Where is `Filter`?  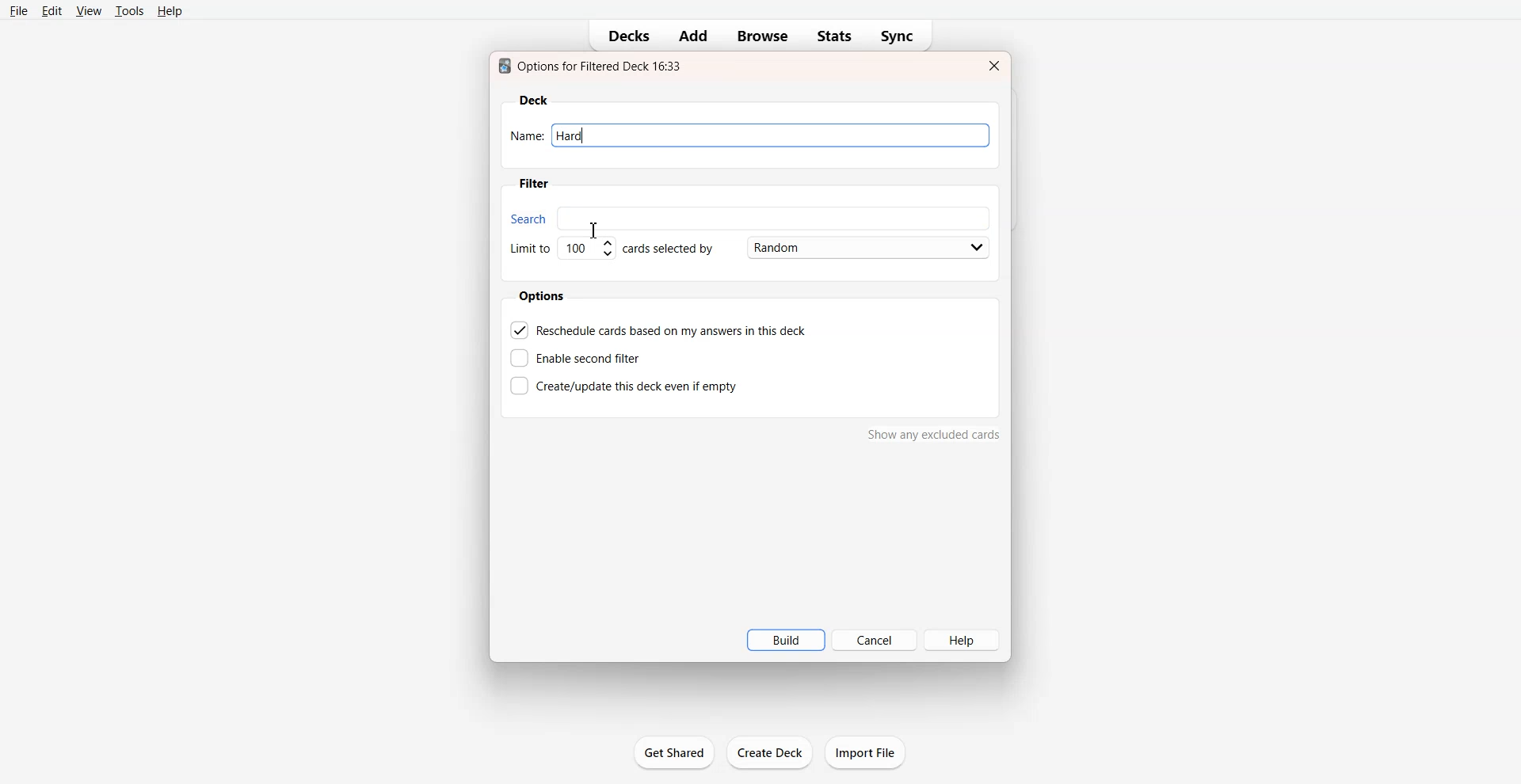
Filter is located at coordinates (533, 184).